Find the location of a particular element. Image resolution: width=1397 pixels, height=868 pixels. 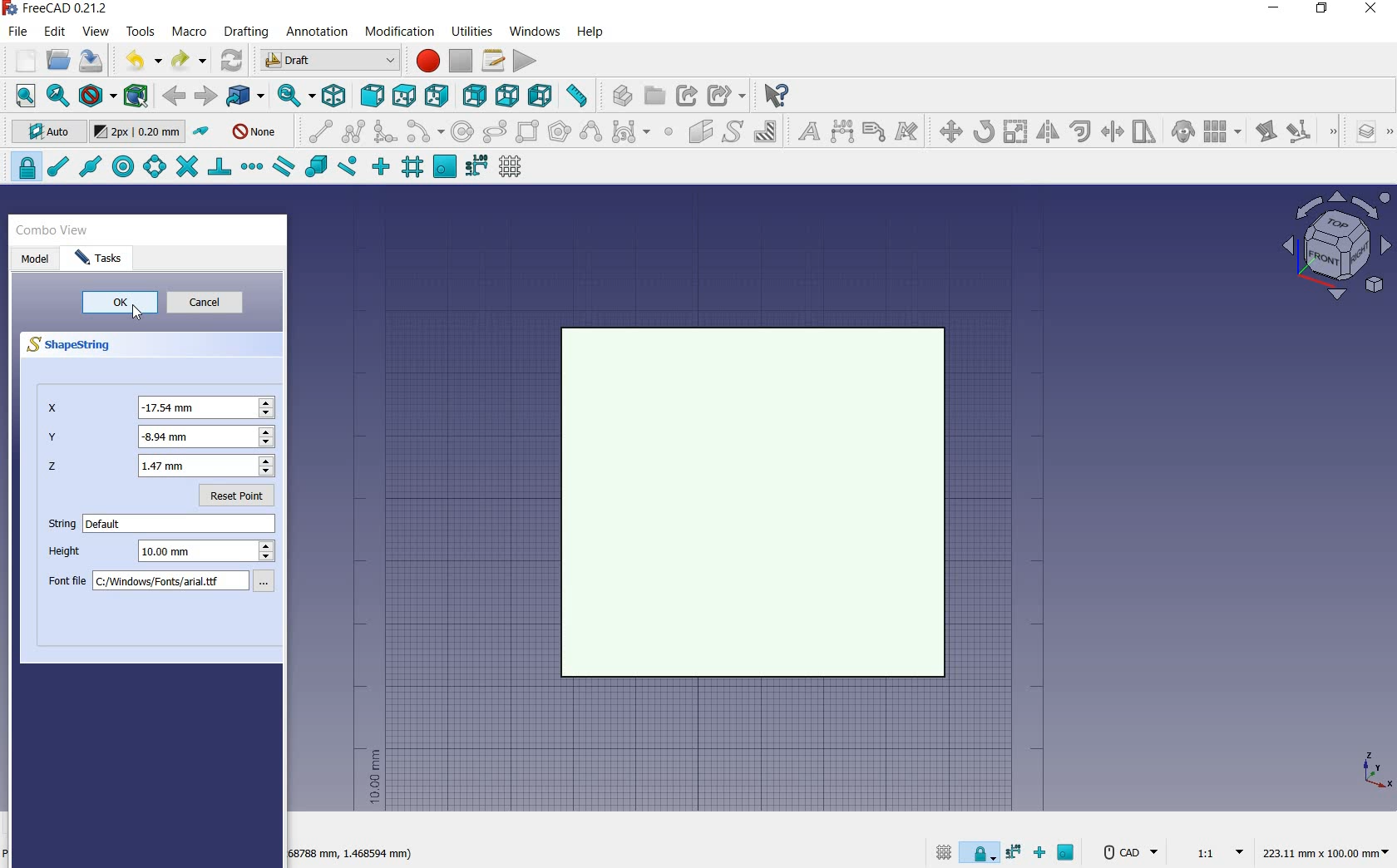

forward is located at coordinates (205, 96).